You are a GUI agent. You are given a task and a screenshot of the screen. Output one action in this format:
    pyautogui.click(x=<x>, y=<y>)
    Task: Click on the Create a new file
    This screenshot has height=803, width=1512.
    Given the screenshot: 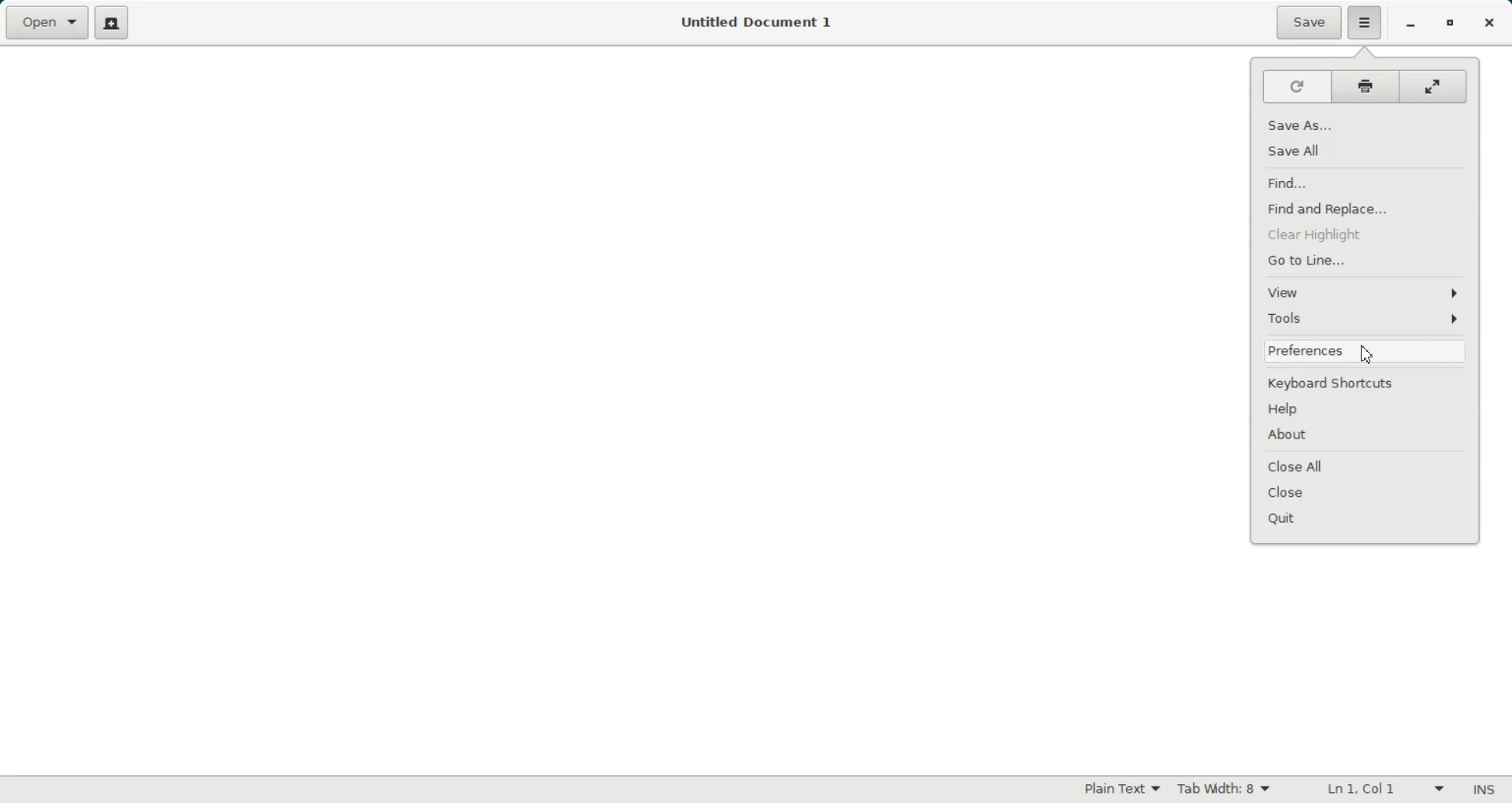 What is the action you would take?
    pyautogui.click(x=111, y=23)
    